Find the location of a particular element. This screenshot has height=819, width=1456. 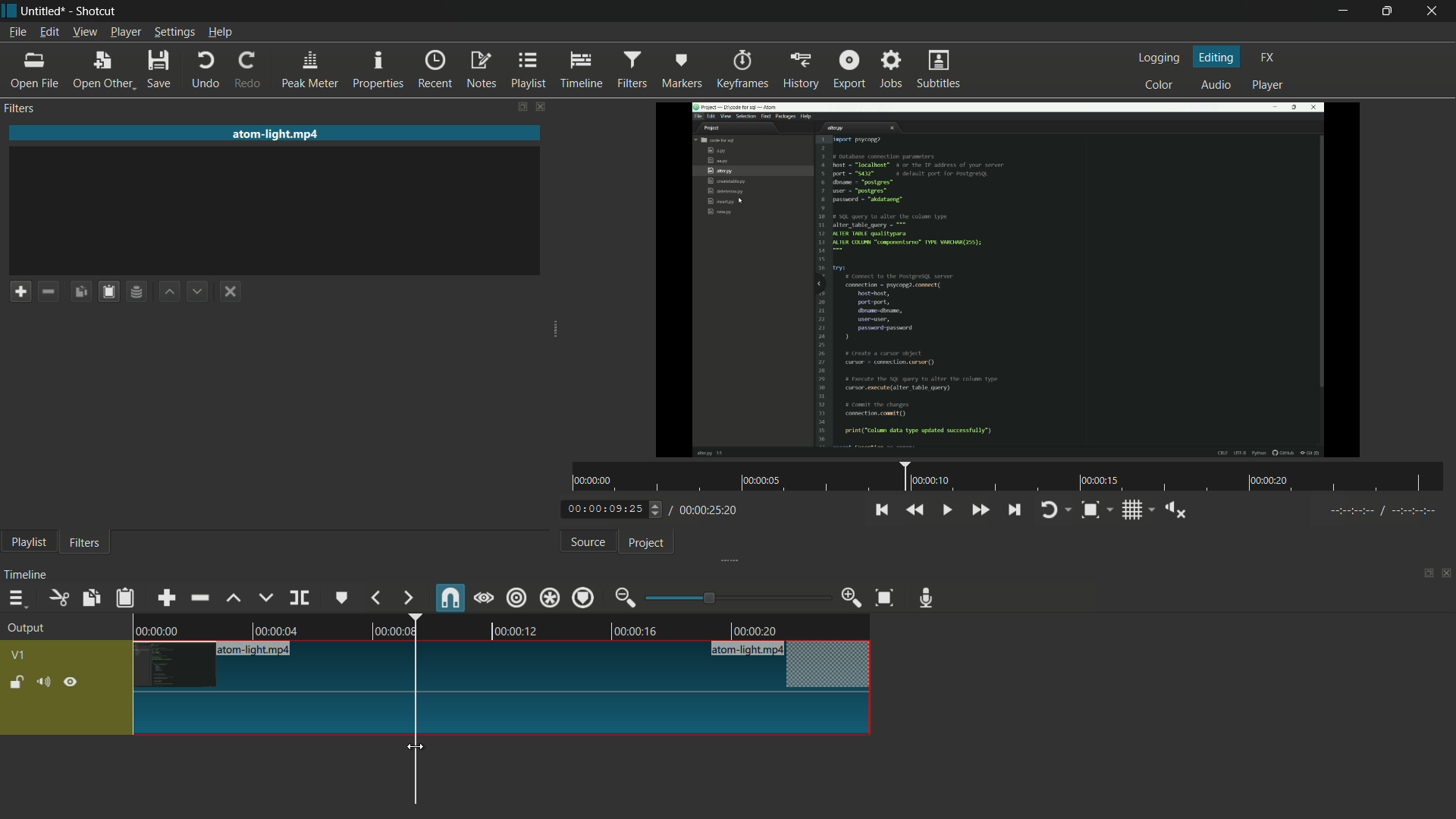

hide is located at coordinates (72, 681).